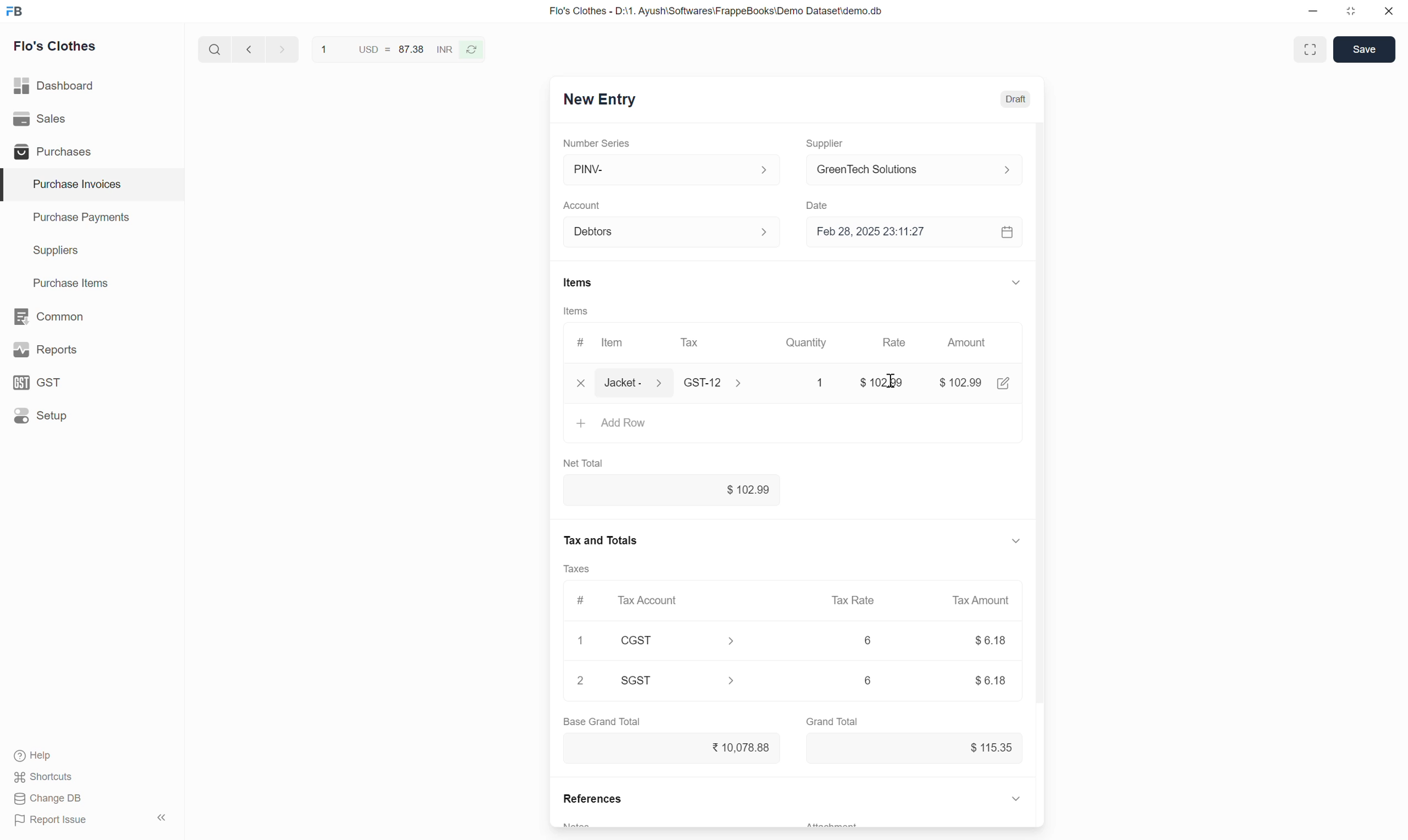  I want to click on Tax Amount, so click(982, 601).